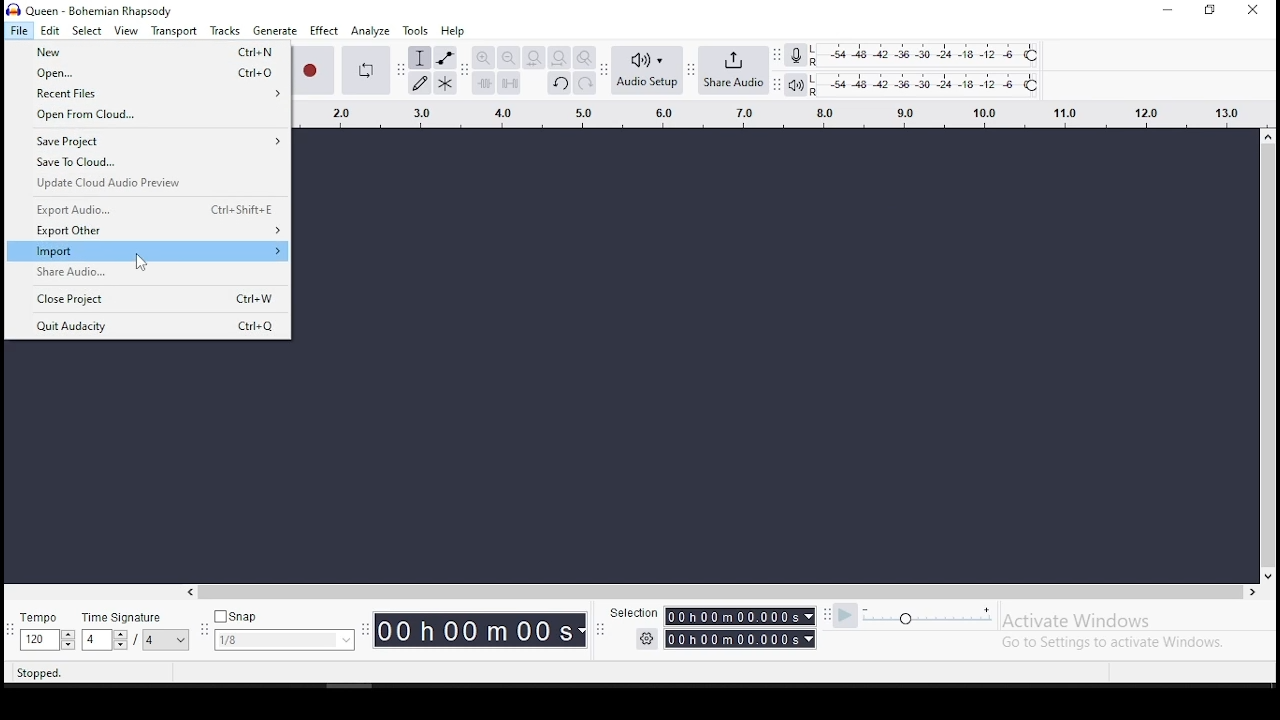  I want to click on save to cloud, so click(147, 164).